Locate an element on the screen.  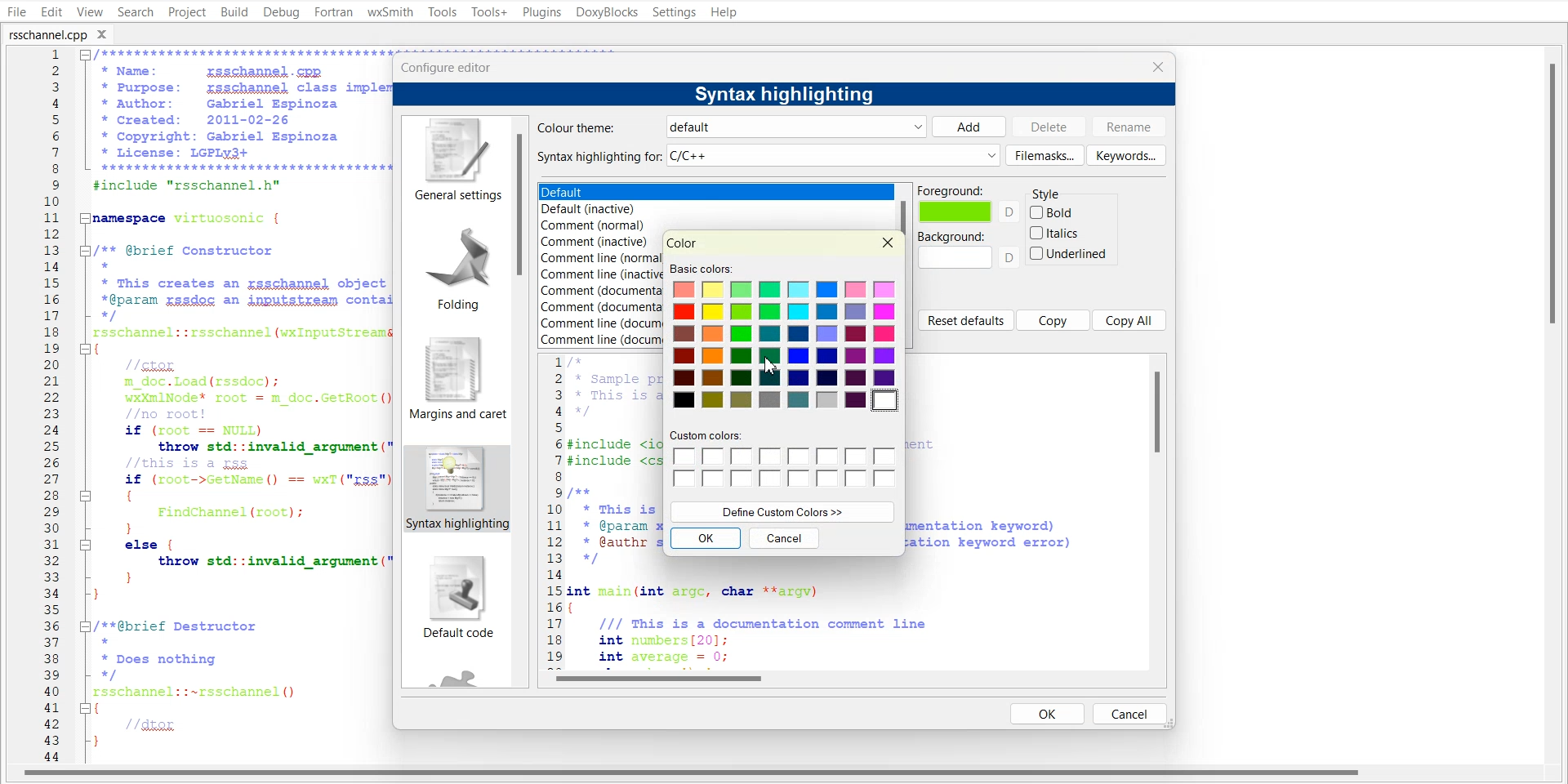
Configure editor is located at coordinates (453, 66).